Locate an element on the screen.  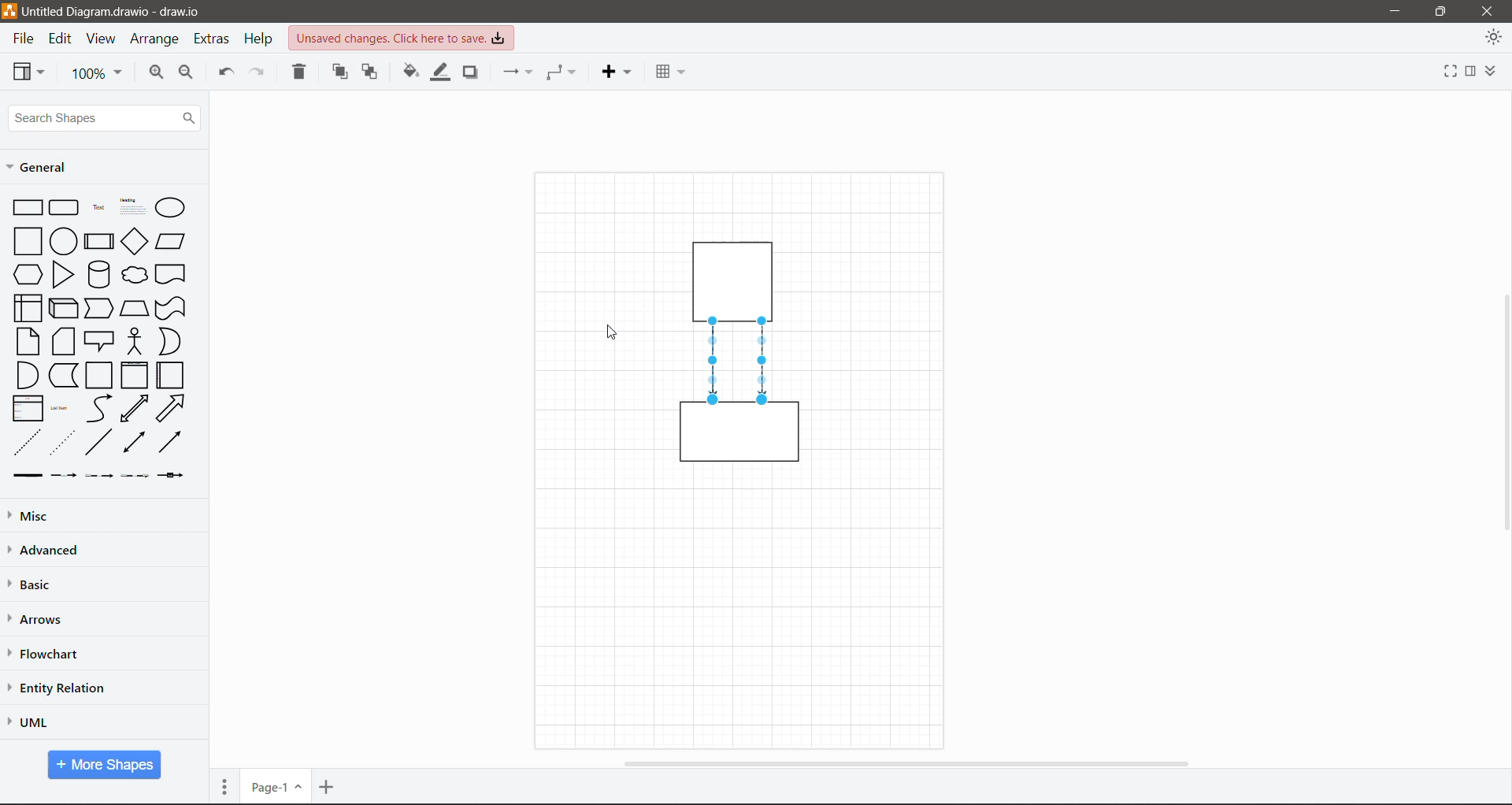
curve is located at coordinates (99, 409).